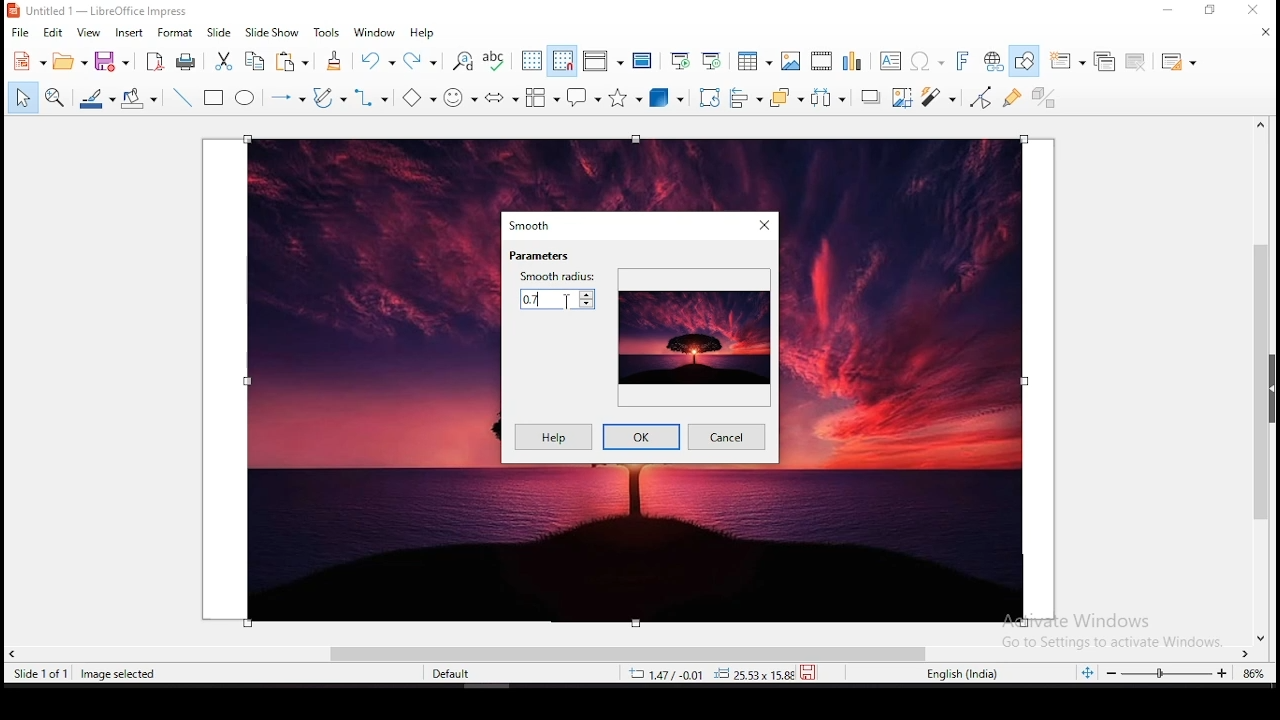 The height and width of the screenshot is (720, 1280). I want to click on 0.00x0.00, so click(749, 674).